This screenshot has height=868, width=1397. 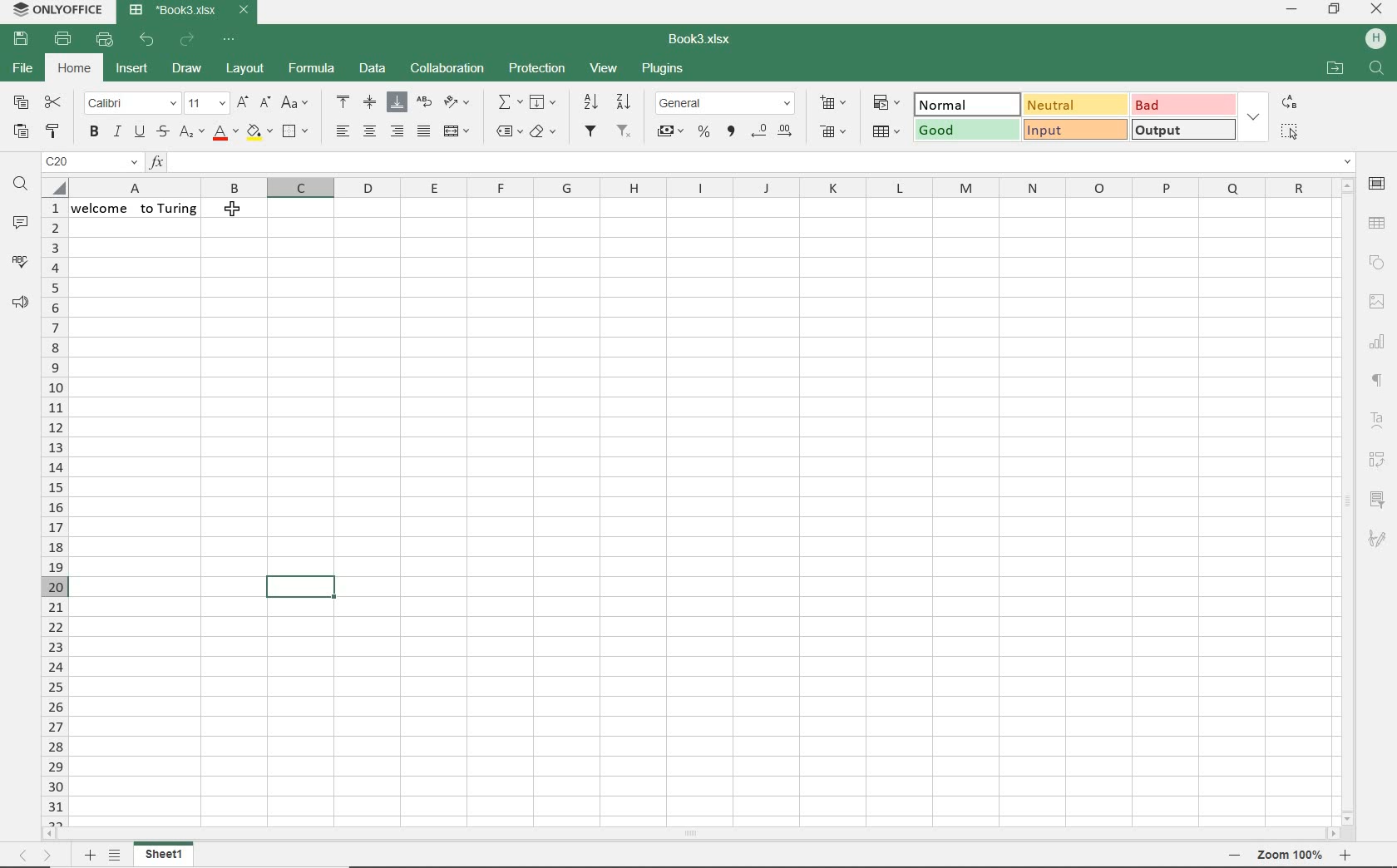 What do you see at coordinates (136, 210) in the screenshot?
I see `text` at bounding box center [136, 210].